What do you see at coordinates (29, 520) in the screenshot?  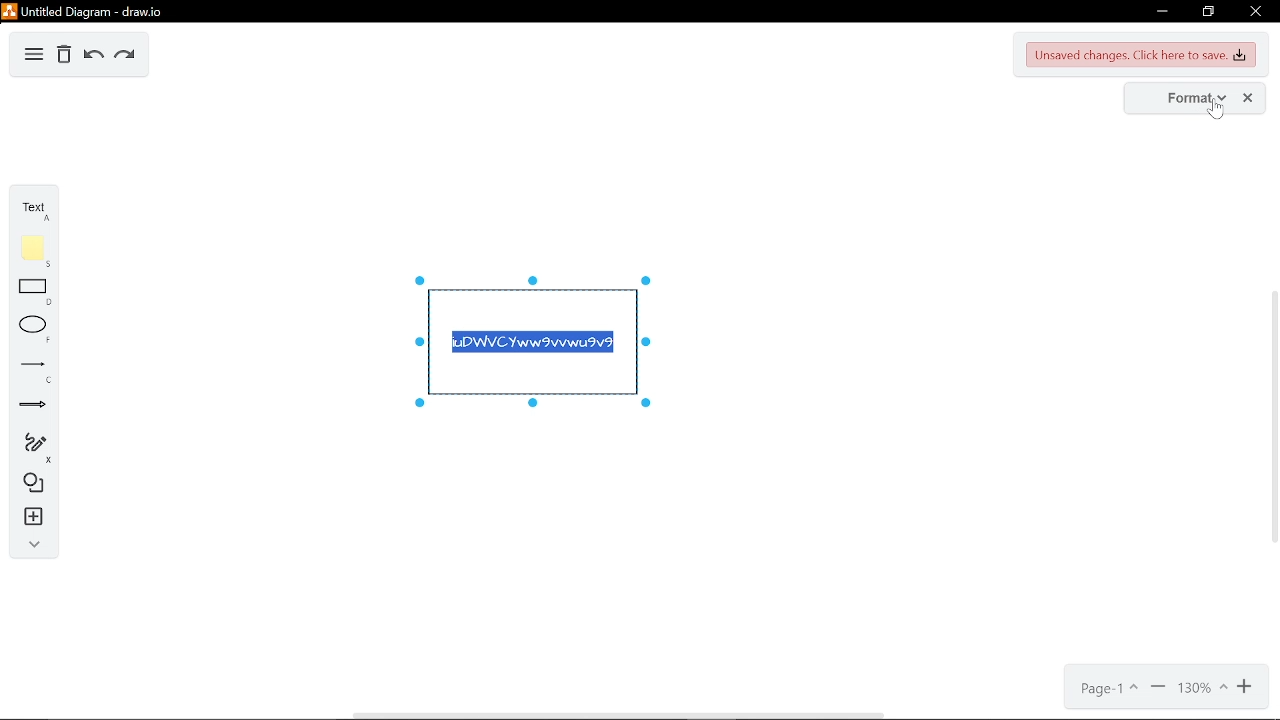 I see `insert` at bounding box center [29, 520].